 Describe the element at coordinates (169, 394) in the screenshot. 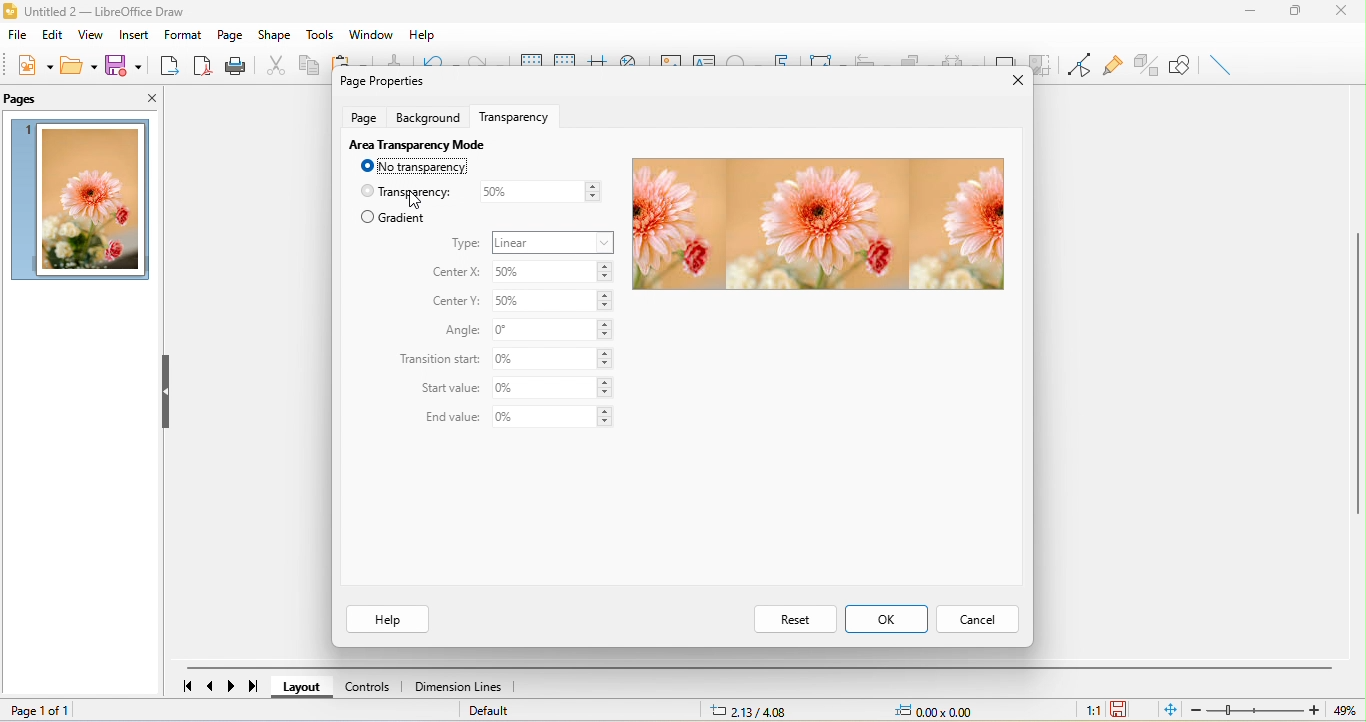

I see `hide` at that location.